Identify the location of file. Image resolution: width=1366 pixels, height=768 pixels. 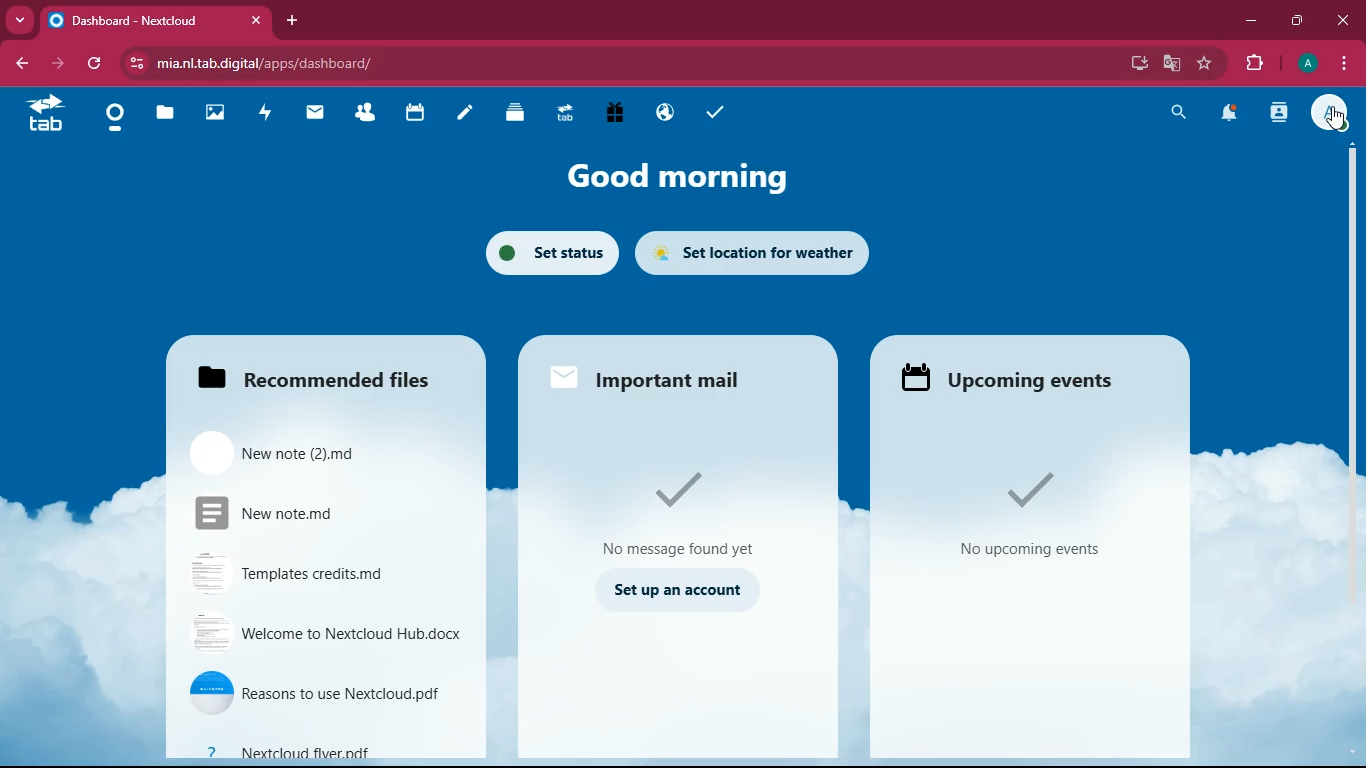
(327, 634).